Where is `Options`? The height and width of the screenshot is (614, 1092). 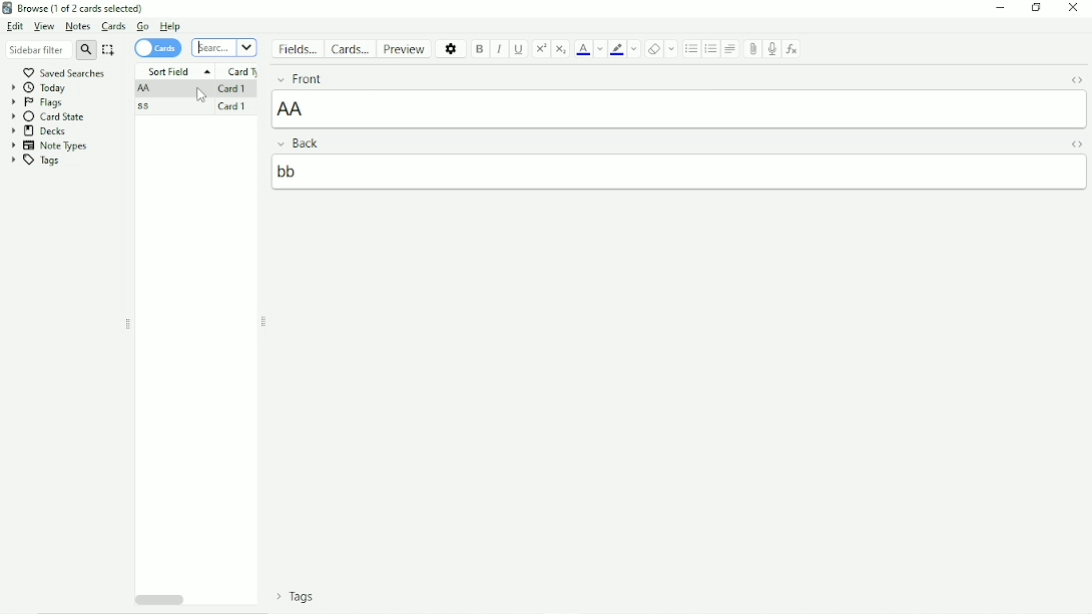 Options is located at coordinates (452, 48).